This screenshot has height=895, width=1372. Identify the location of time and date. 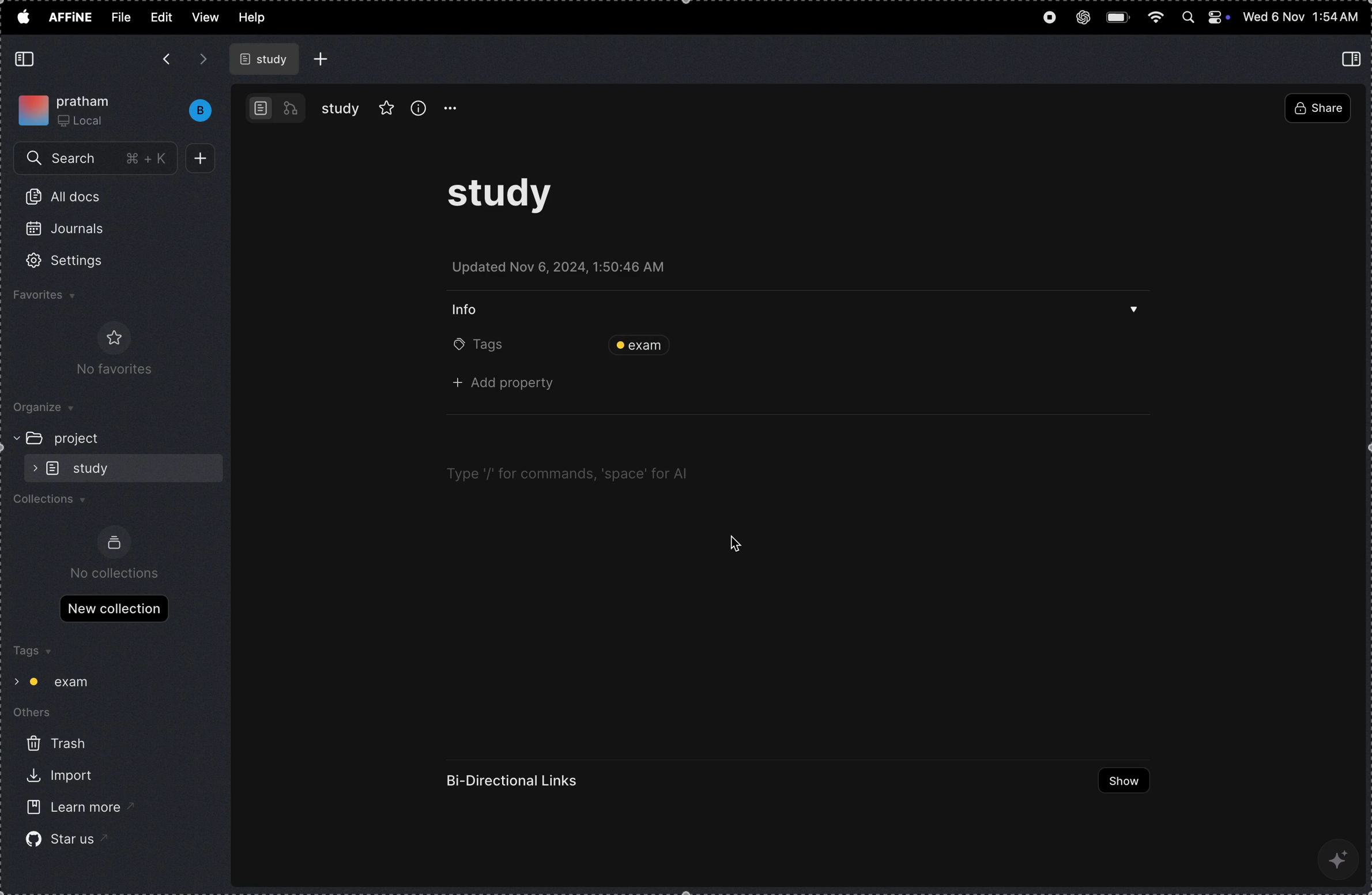
(1301, 17).